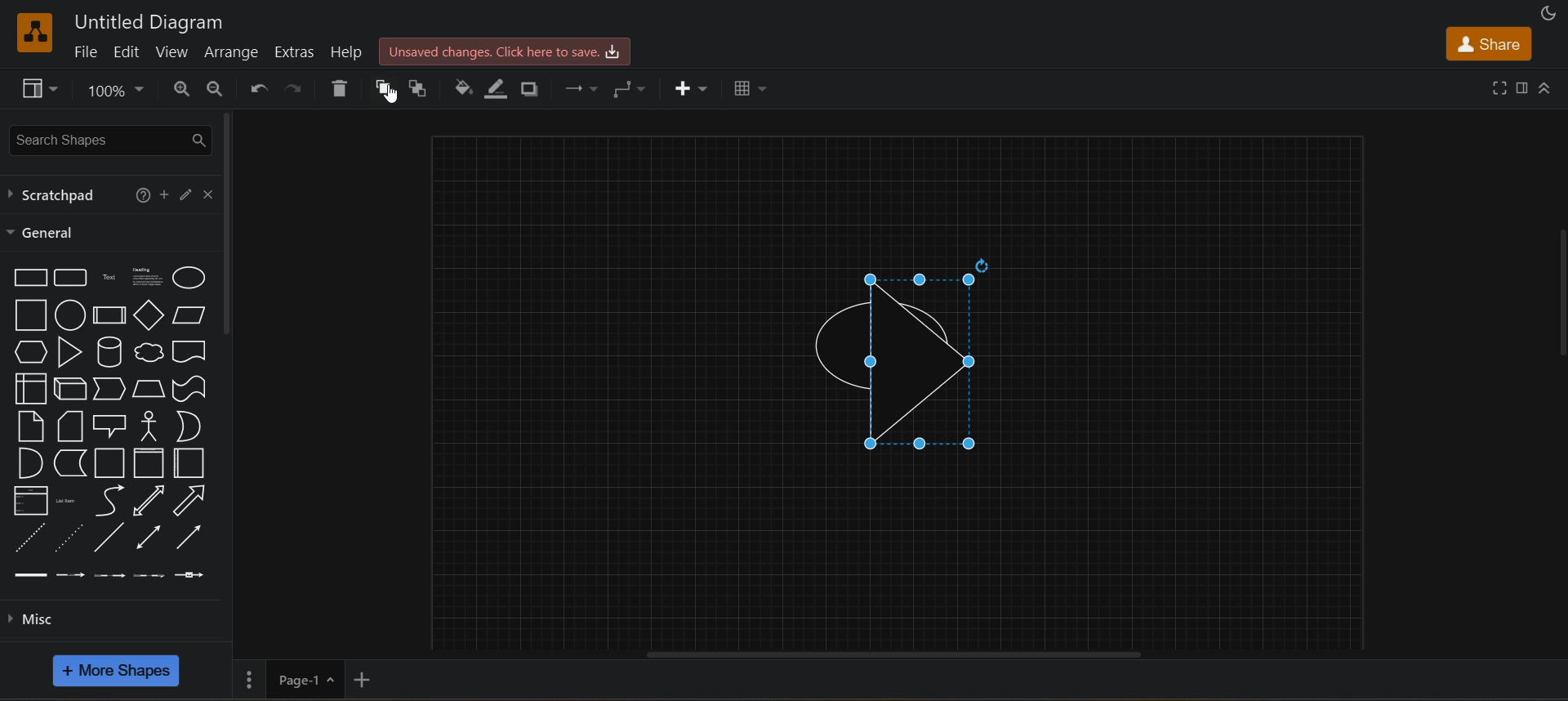  I want to click on unsaved changes.click here to save, so click(505, 49).